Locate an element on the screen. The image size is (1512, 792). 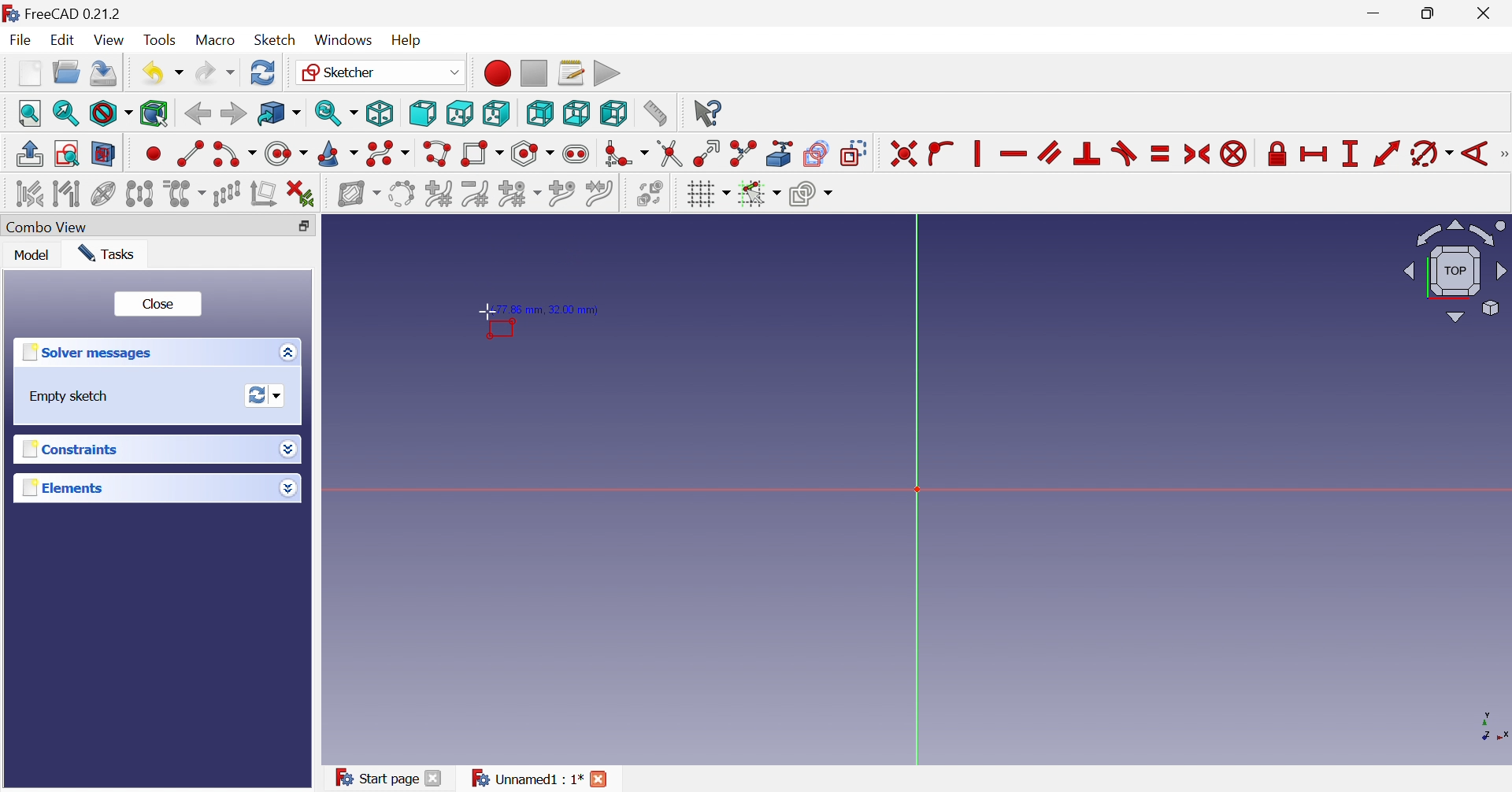
Rear is located at coordinates (539, 113).